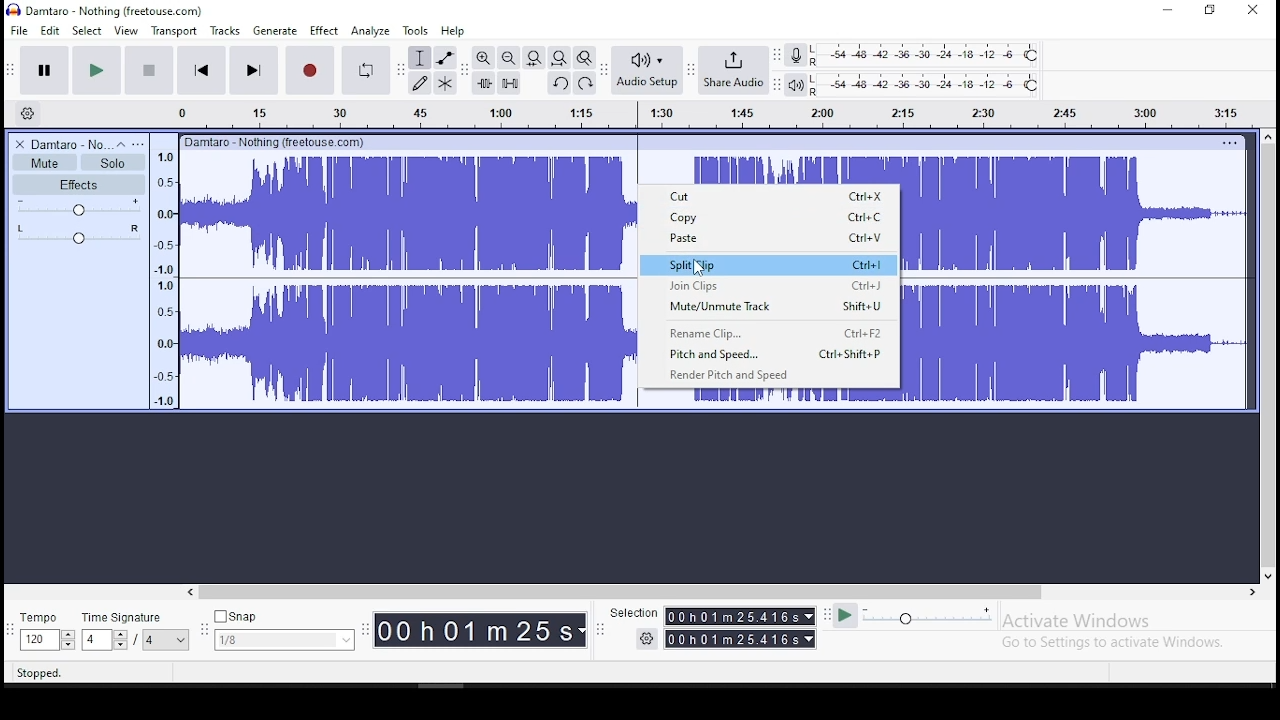 Image resolution: width=1280 pixels, height=720 pixels. Describe the element at coordinates (111, 9) in the screenshot. I see `icon and file name` at that location.